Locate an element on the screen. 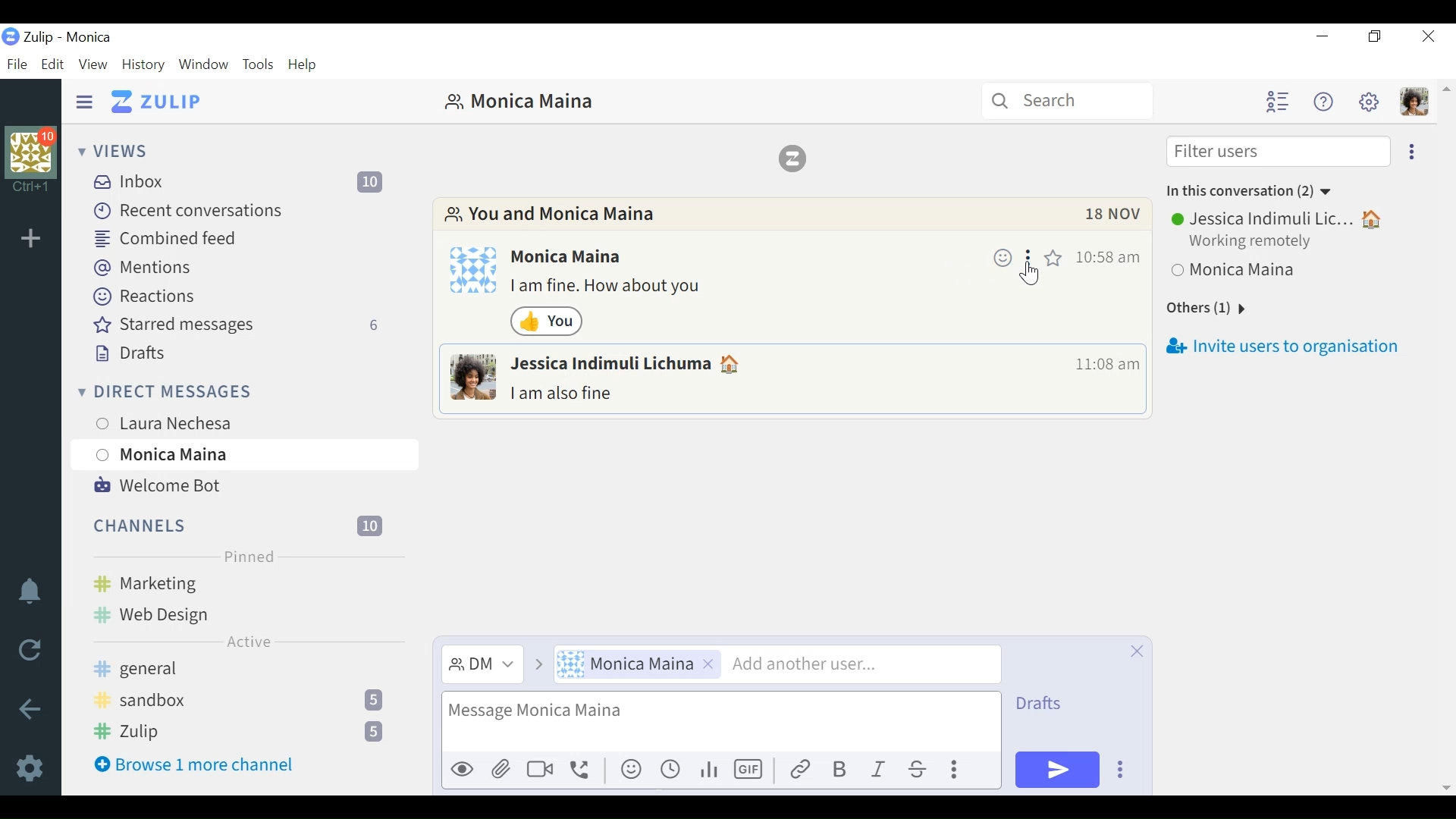 This screenshot has height=819, width=1456. In this conversation (2) is located at coordinates (1249, 190).